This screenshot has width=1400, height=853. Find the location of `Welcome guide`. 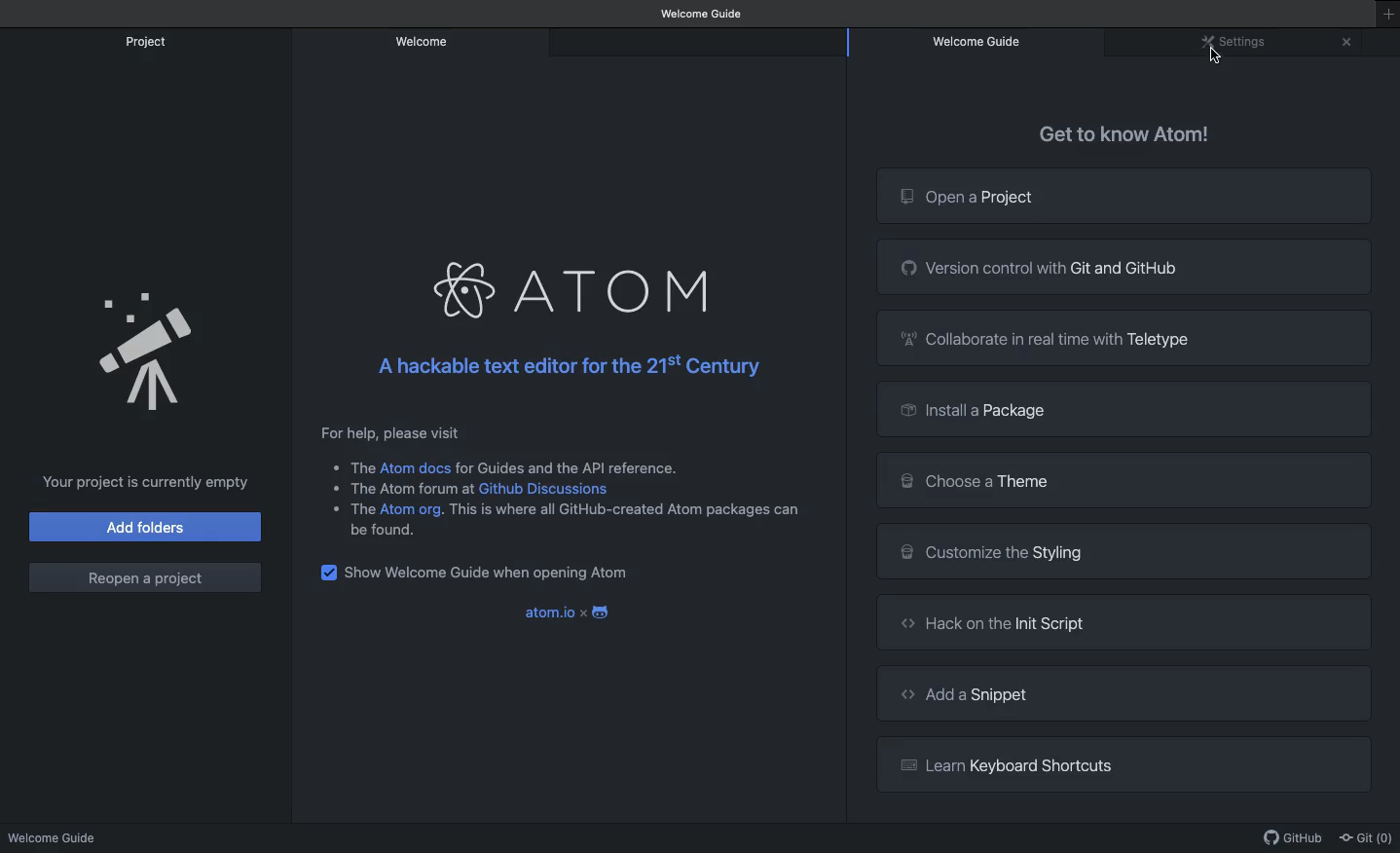

Welcome guide is located at coordinates (704, 13).